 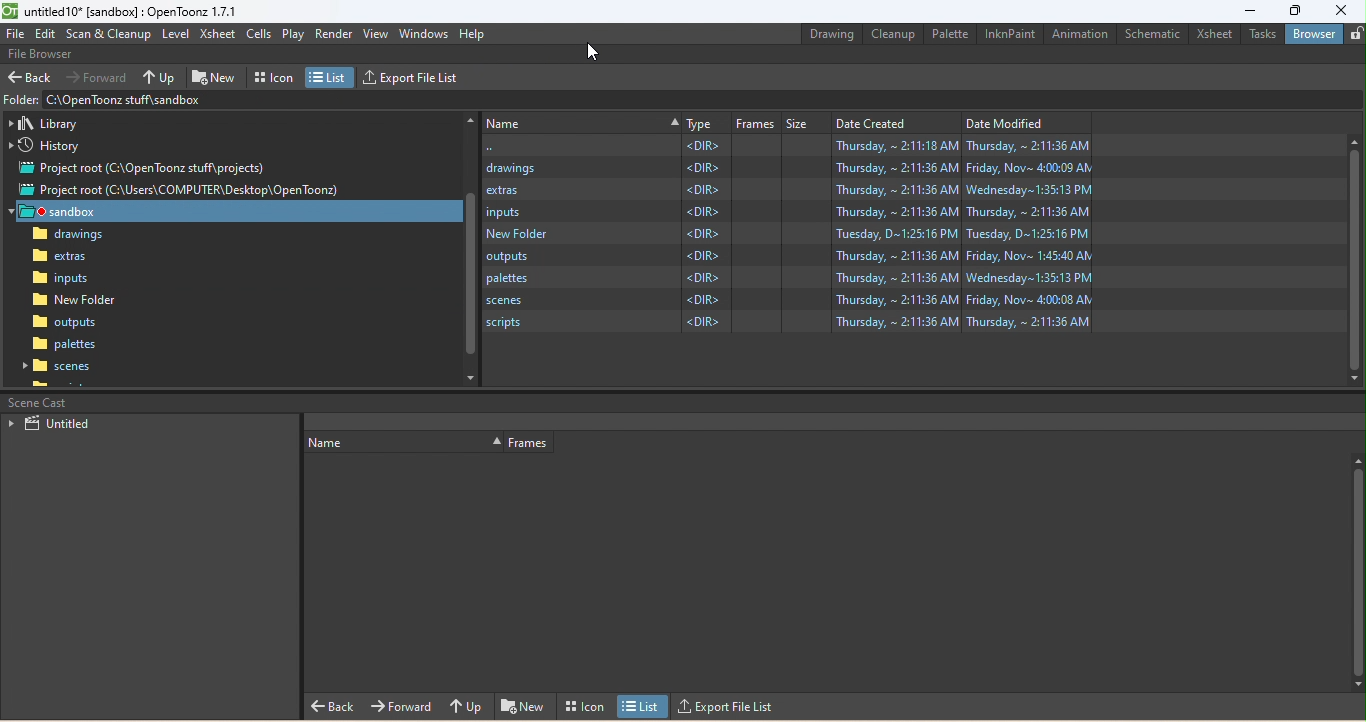 I want to click on scene cast, so click(x=36, y=402).